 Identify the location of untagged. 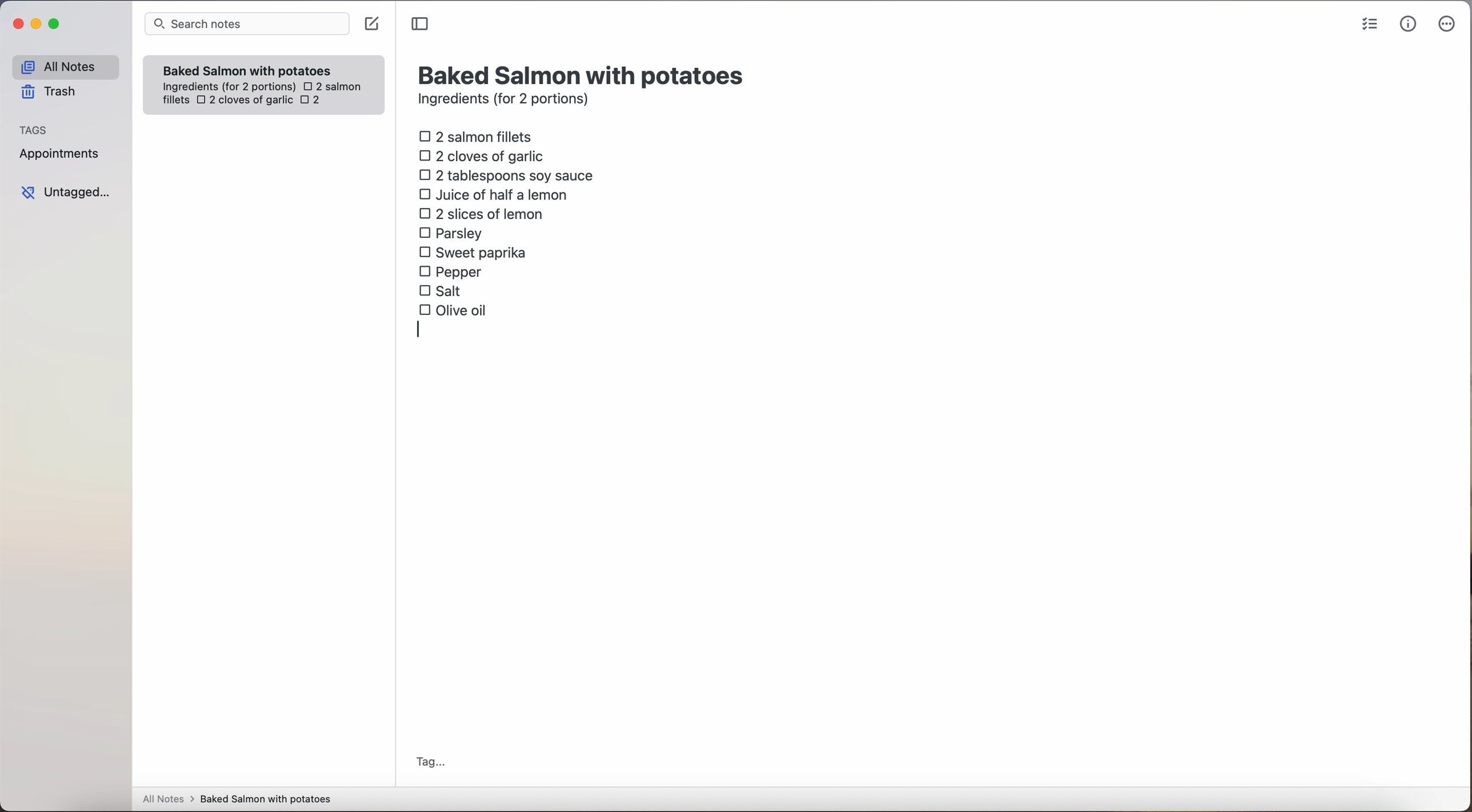
(67, 192).